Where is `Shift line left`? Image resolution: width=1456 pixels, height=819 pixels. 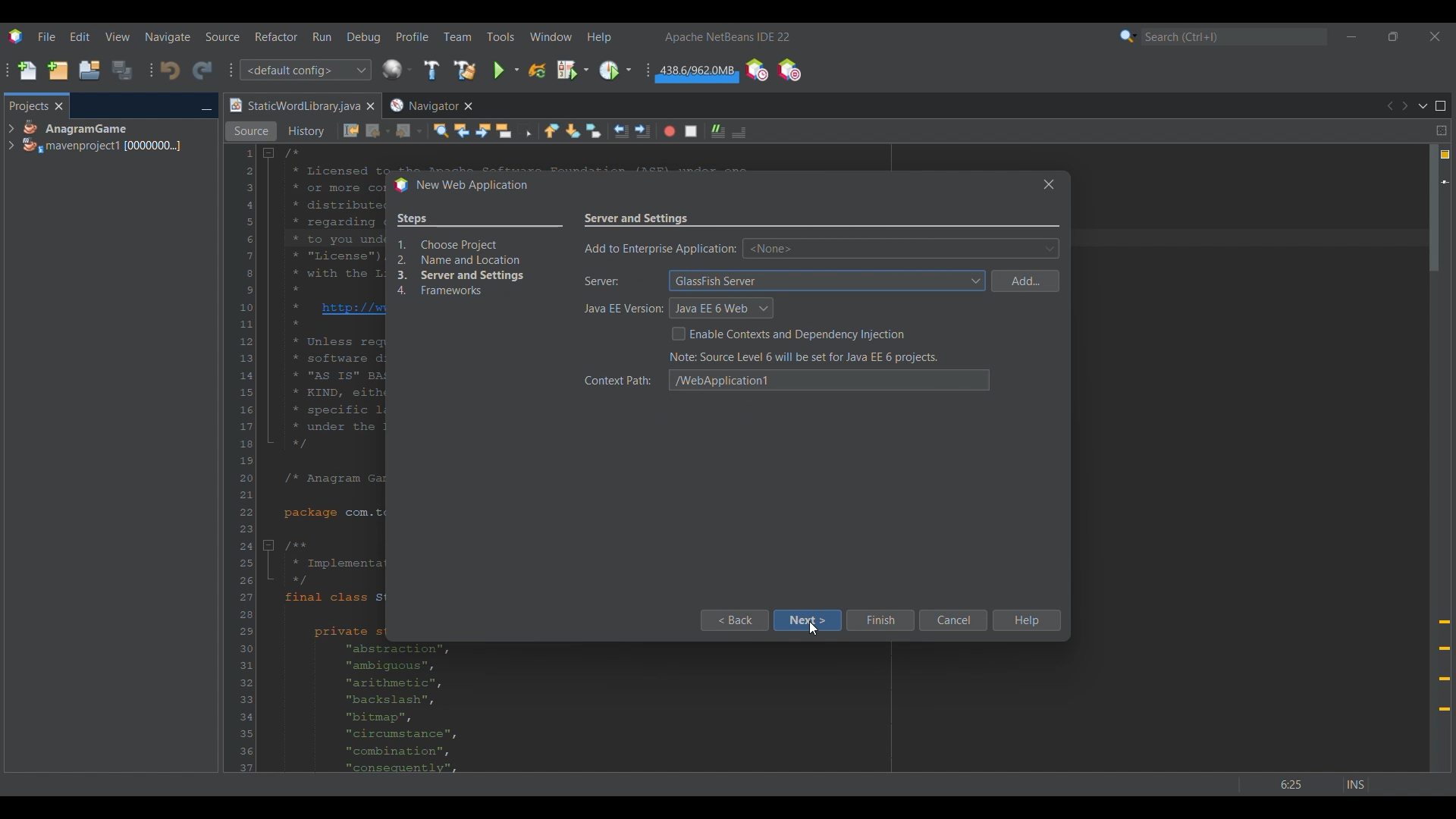
Shift line left is located at coordinates (621, 131).